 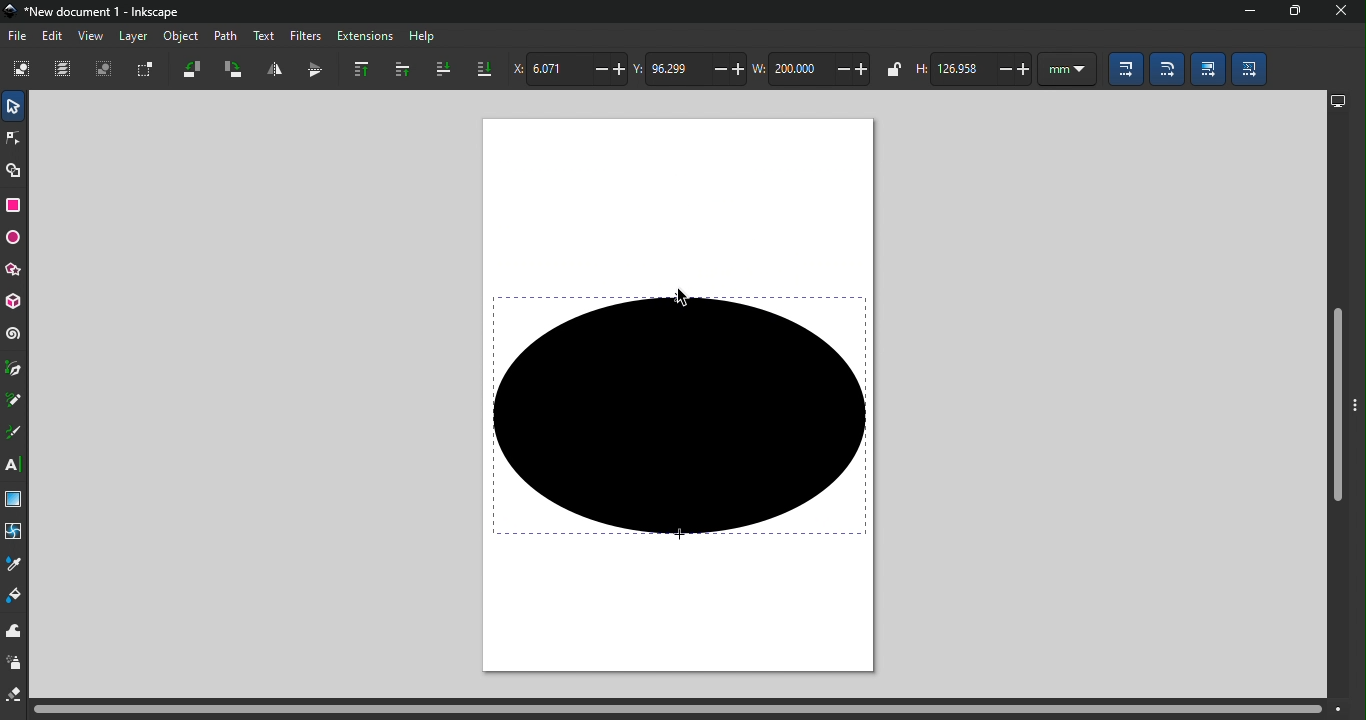 I want to click on Extensions, so click(x=365, y=36).